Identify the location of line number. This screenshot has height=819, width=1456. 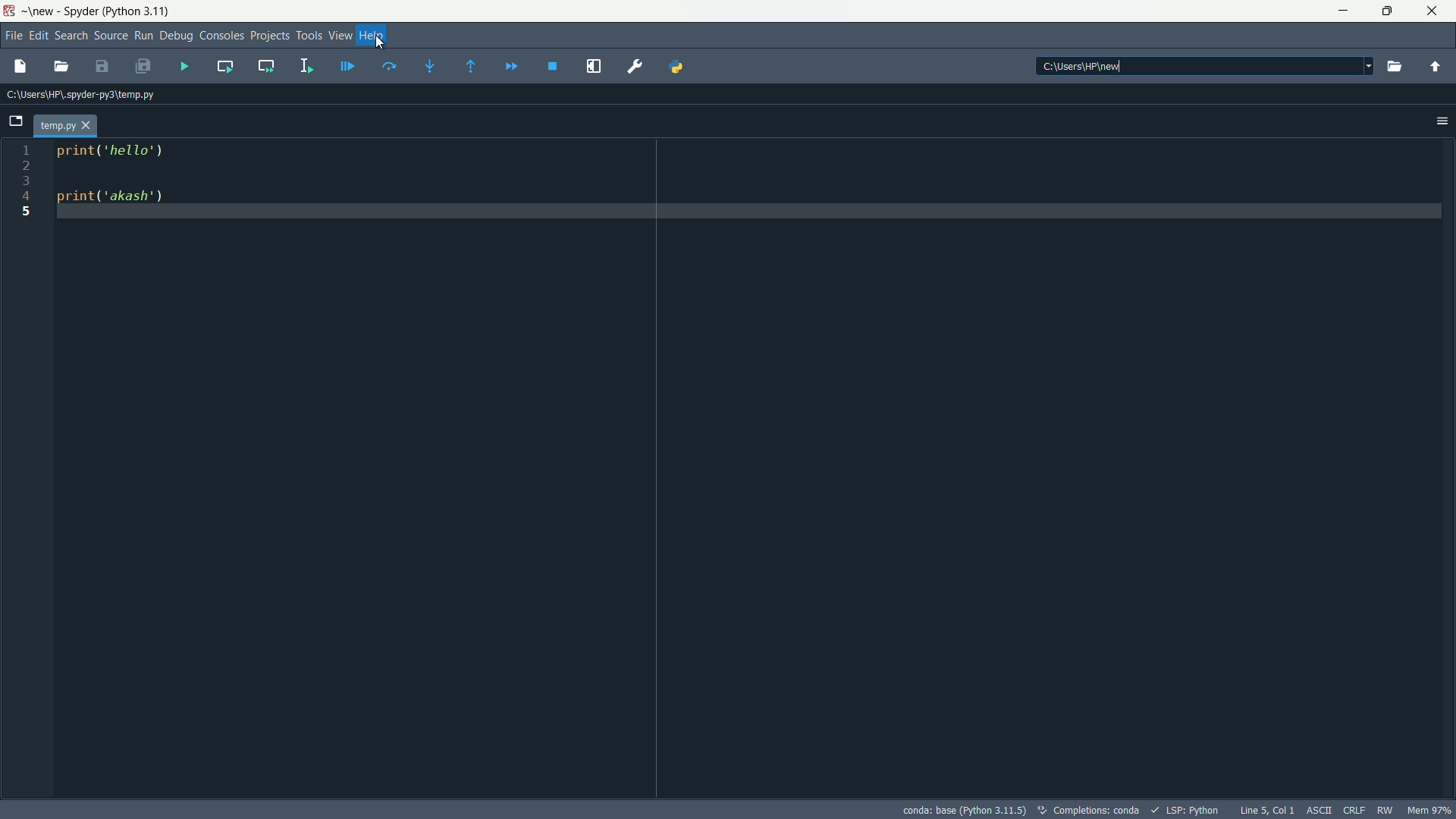
(23, 181).